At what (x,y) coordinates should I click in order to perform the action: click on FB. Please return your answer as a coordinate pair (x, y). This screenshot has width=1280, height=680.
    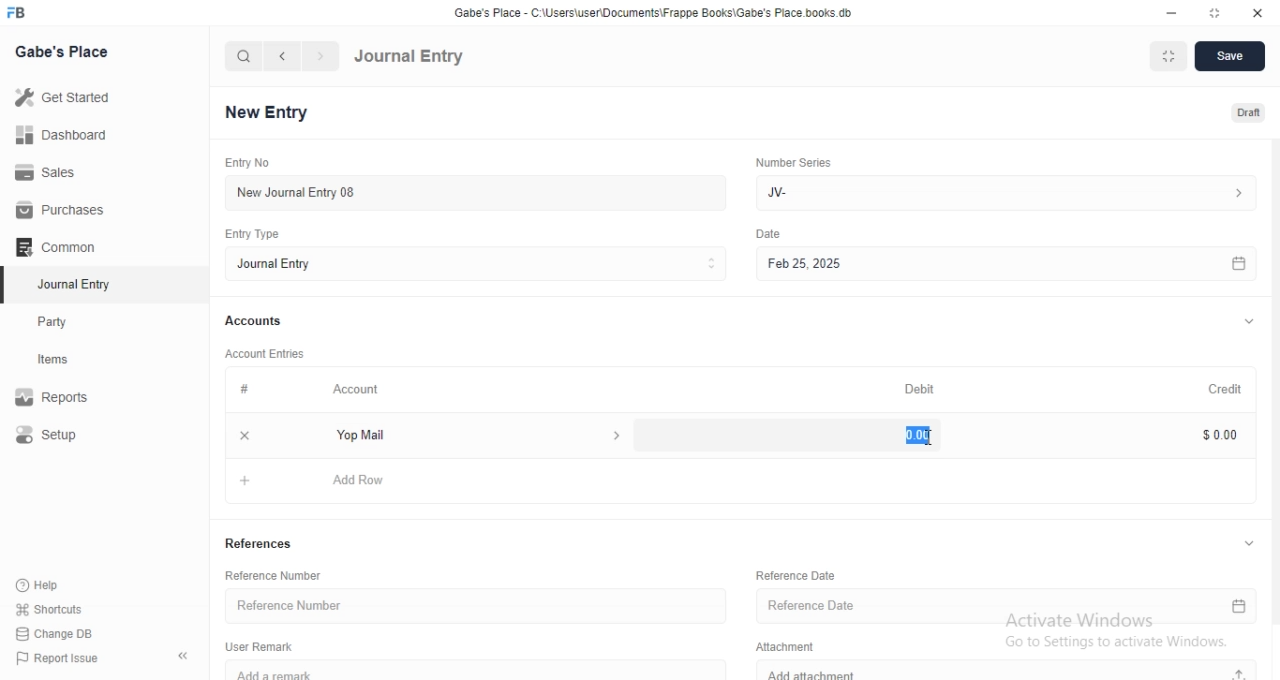
    Looking at the image, I should click on (18, 13).